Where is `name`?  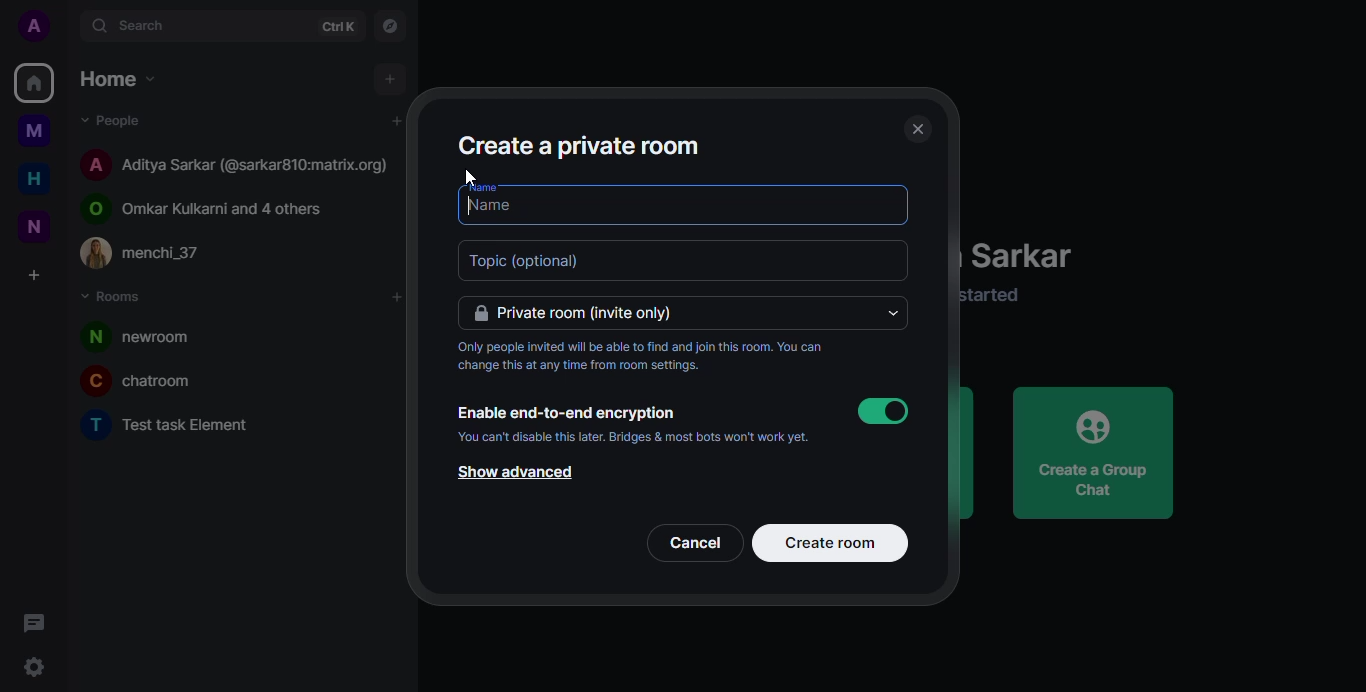
name is located at coordinates (530, 187).